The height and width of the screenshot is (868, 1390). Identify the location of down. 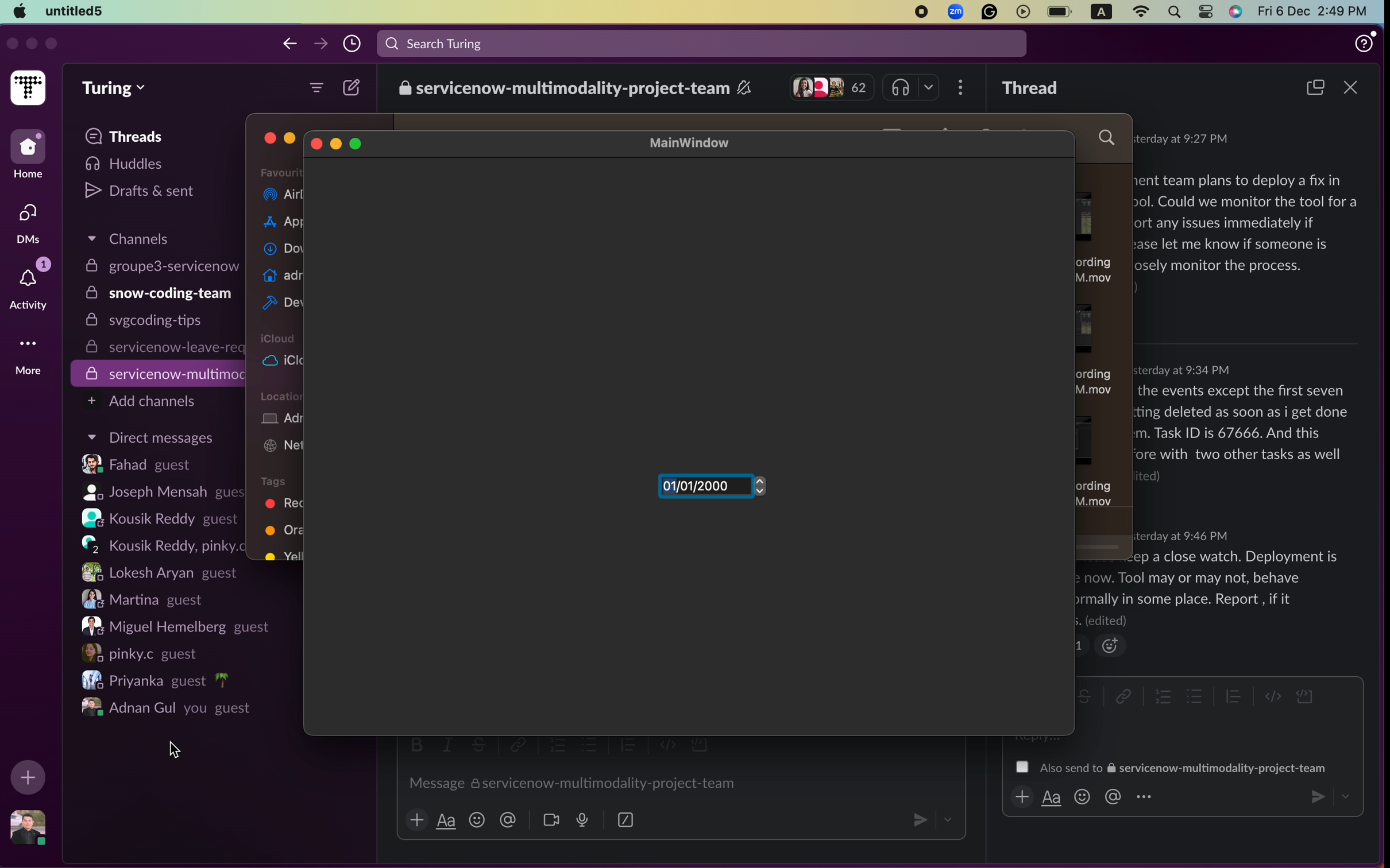
(1345, 795).